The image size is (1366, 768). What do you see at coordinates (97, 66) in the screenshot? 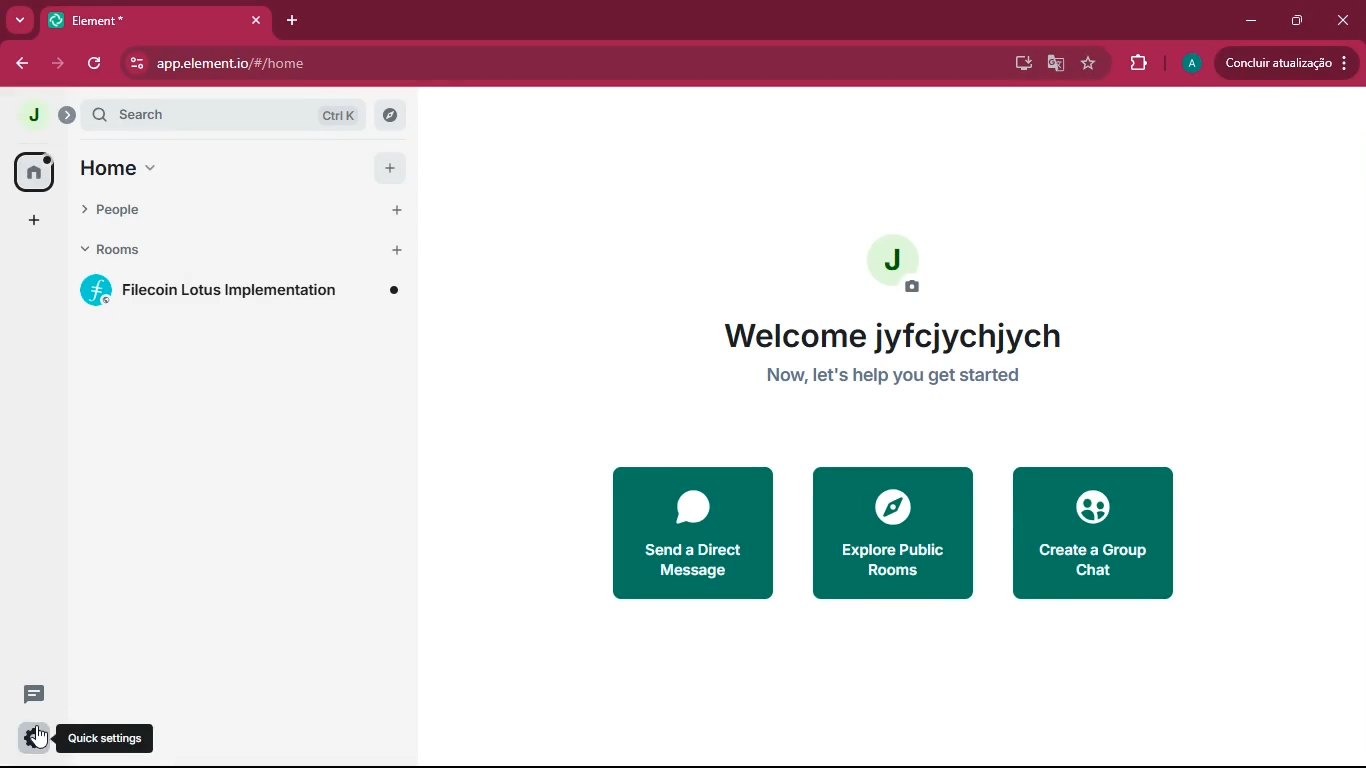
I see `refresh` at bounding box center [97, 66].